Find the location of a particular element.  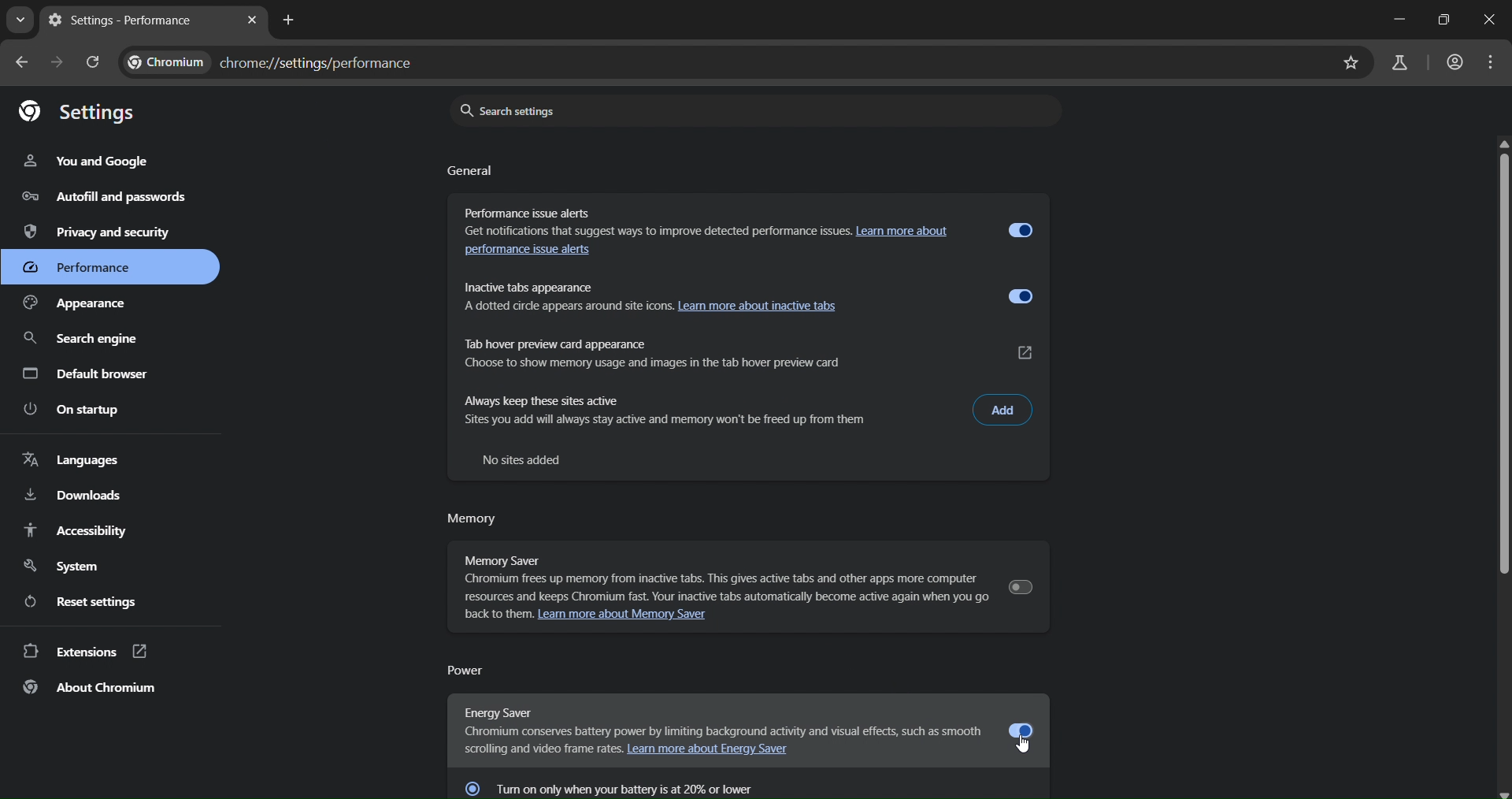

autofill and passwords is located at coordinates (98, 197).